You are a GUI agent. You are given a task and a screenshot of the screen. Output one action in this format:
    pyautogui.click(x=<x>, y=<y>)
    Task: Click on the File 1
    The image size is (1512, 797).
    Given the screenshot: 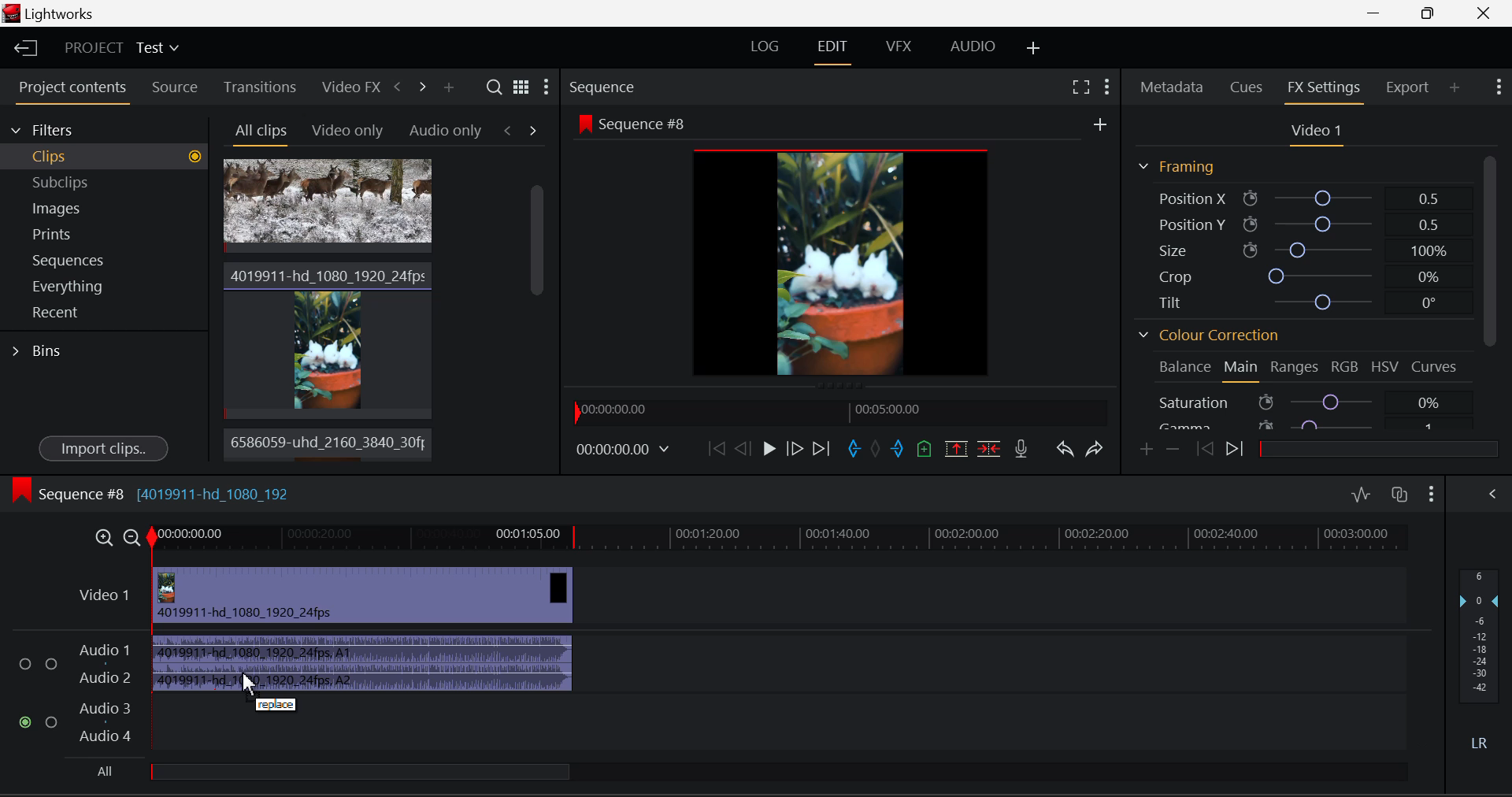 What is the action you would take?
    pyautogui.click(x=328, y=206)
    